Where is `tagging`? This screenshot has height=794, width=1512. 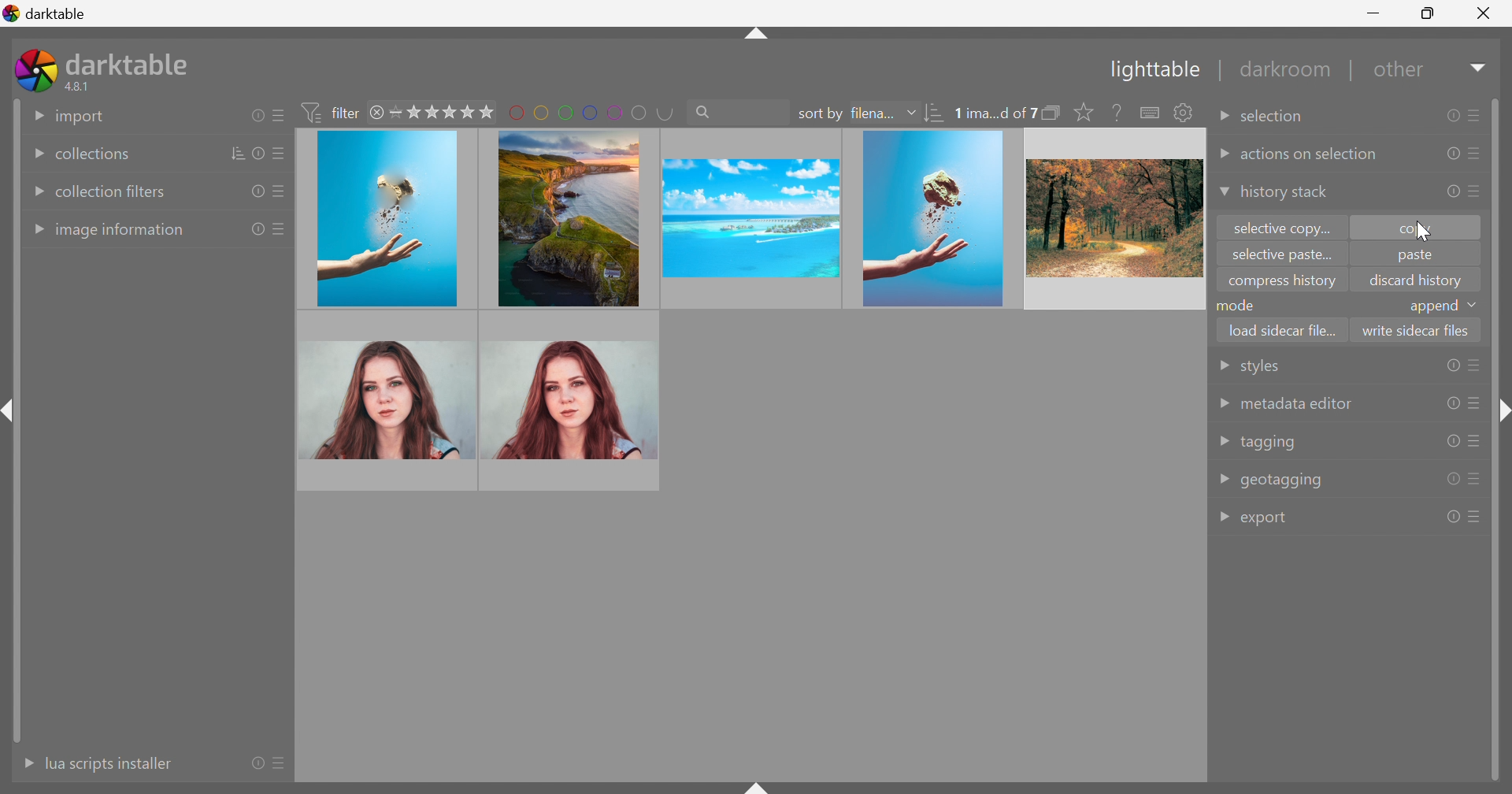 tagging is located at coordinates (1269, 443).